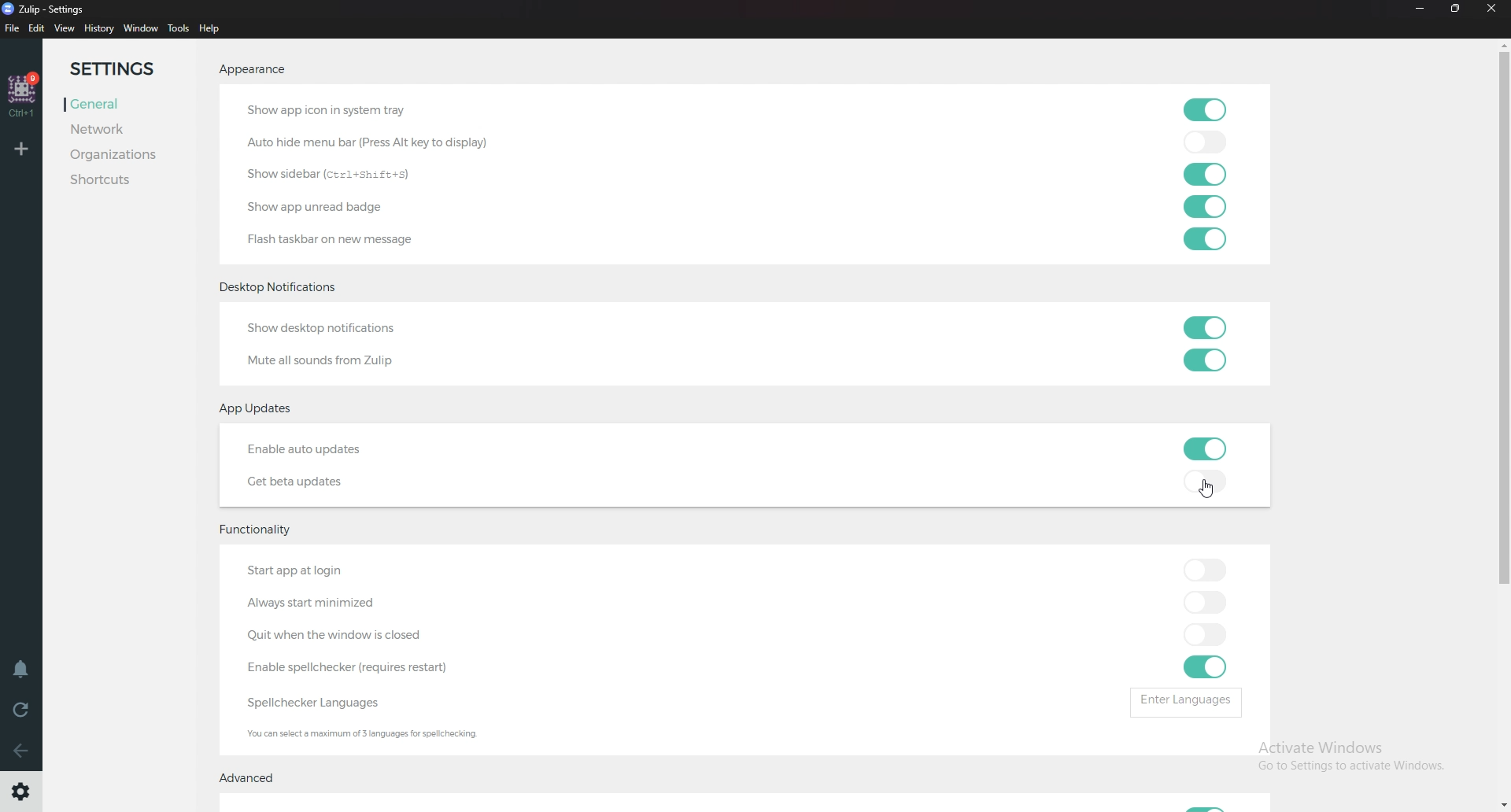  What do you see at coordinates (341, 451) in the screenshot?
I see `Enable auto updates` at bounding box center [341, 451].